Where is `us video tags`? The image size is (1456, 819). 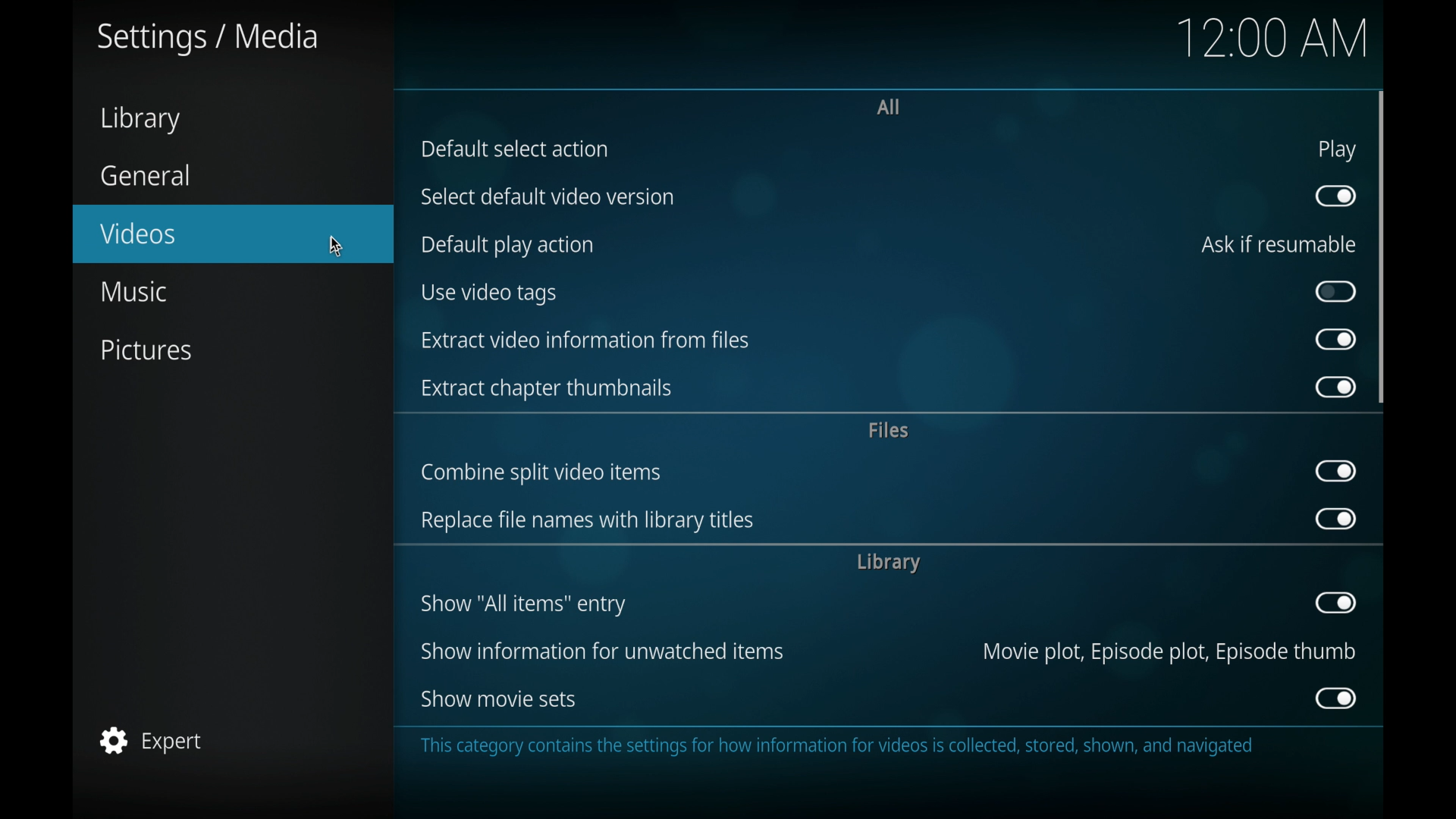 us video tags is located at coordinates (488, 295).